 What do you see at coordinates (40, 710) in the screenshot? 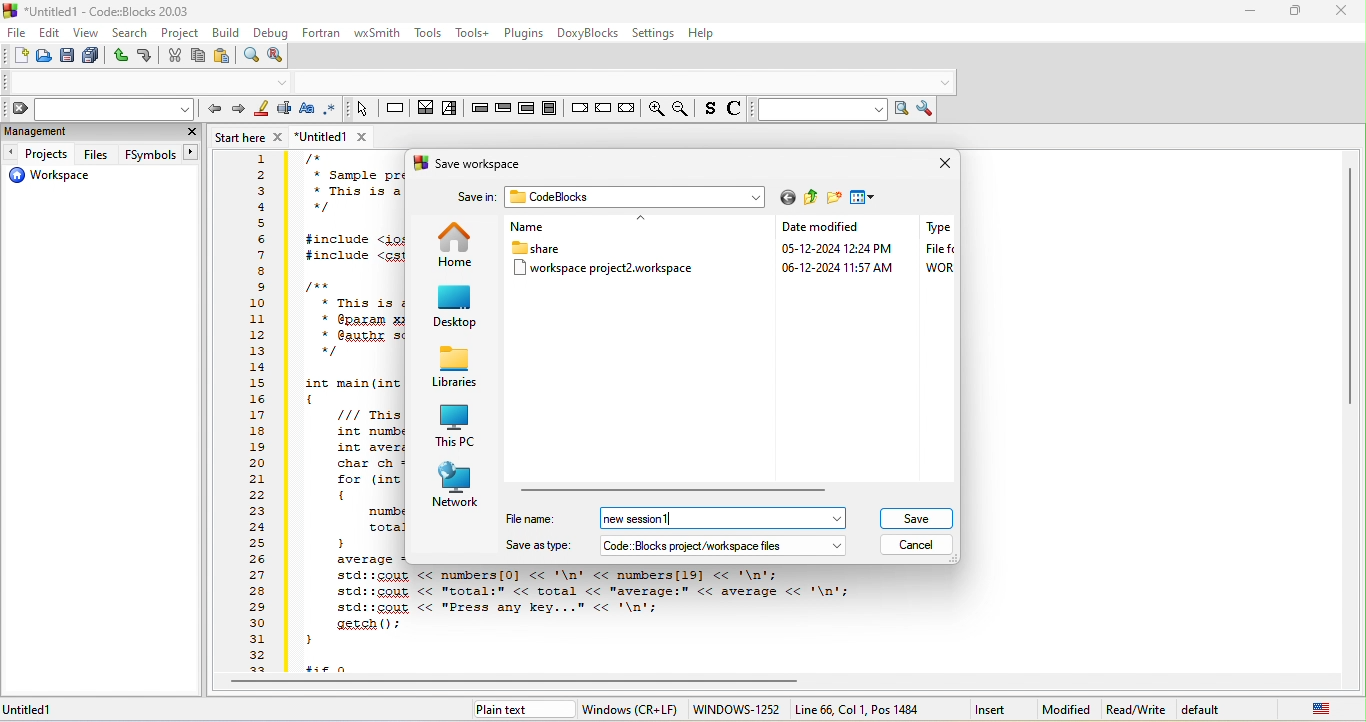
I see `untitled 1` at bounding box center [40, 710].